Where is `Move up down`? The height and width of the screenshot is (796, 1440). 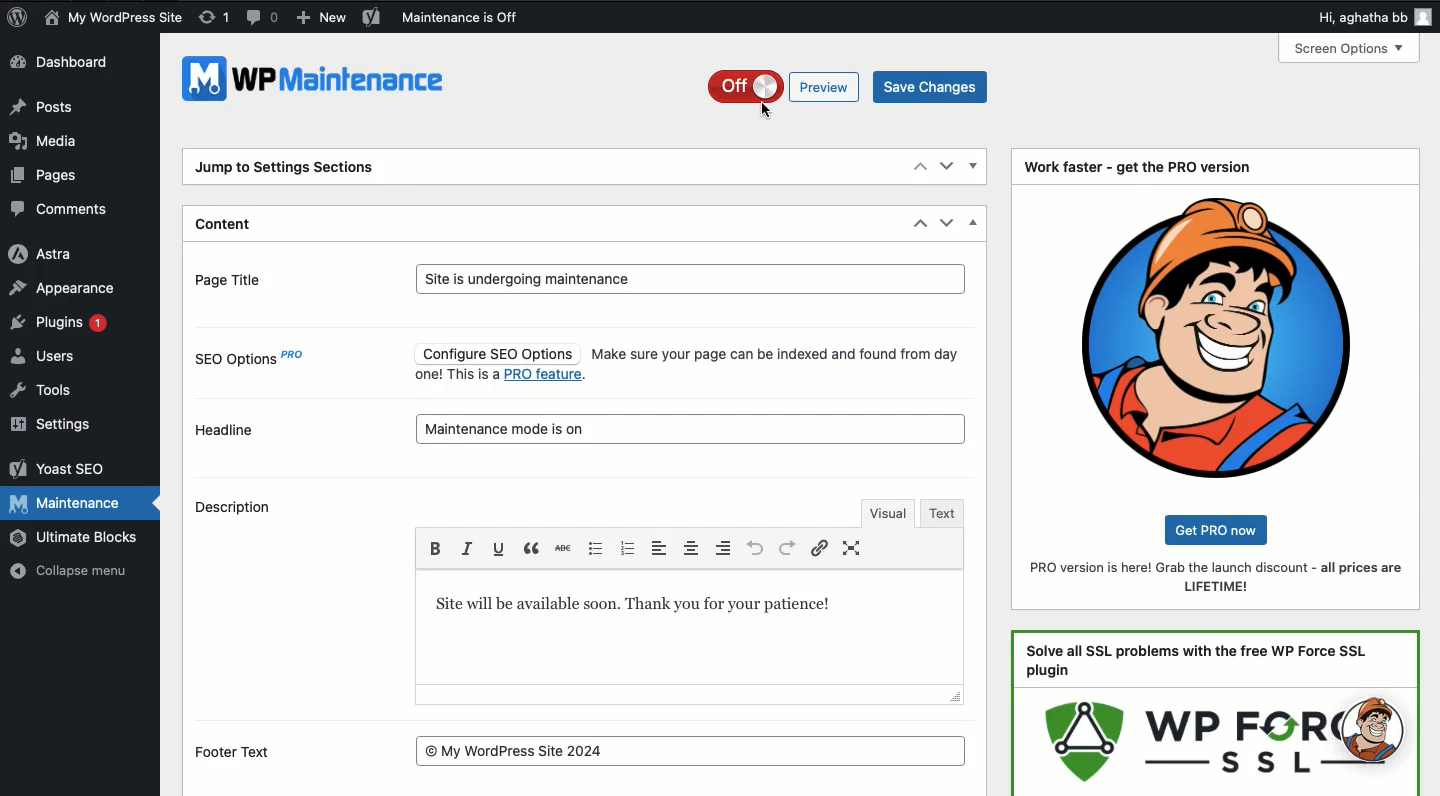
Move up down is located at coordinates (934, 165).